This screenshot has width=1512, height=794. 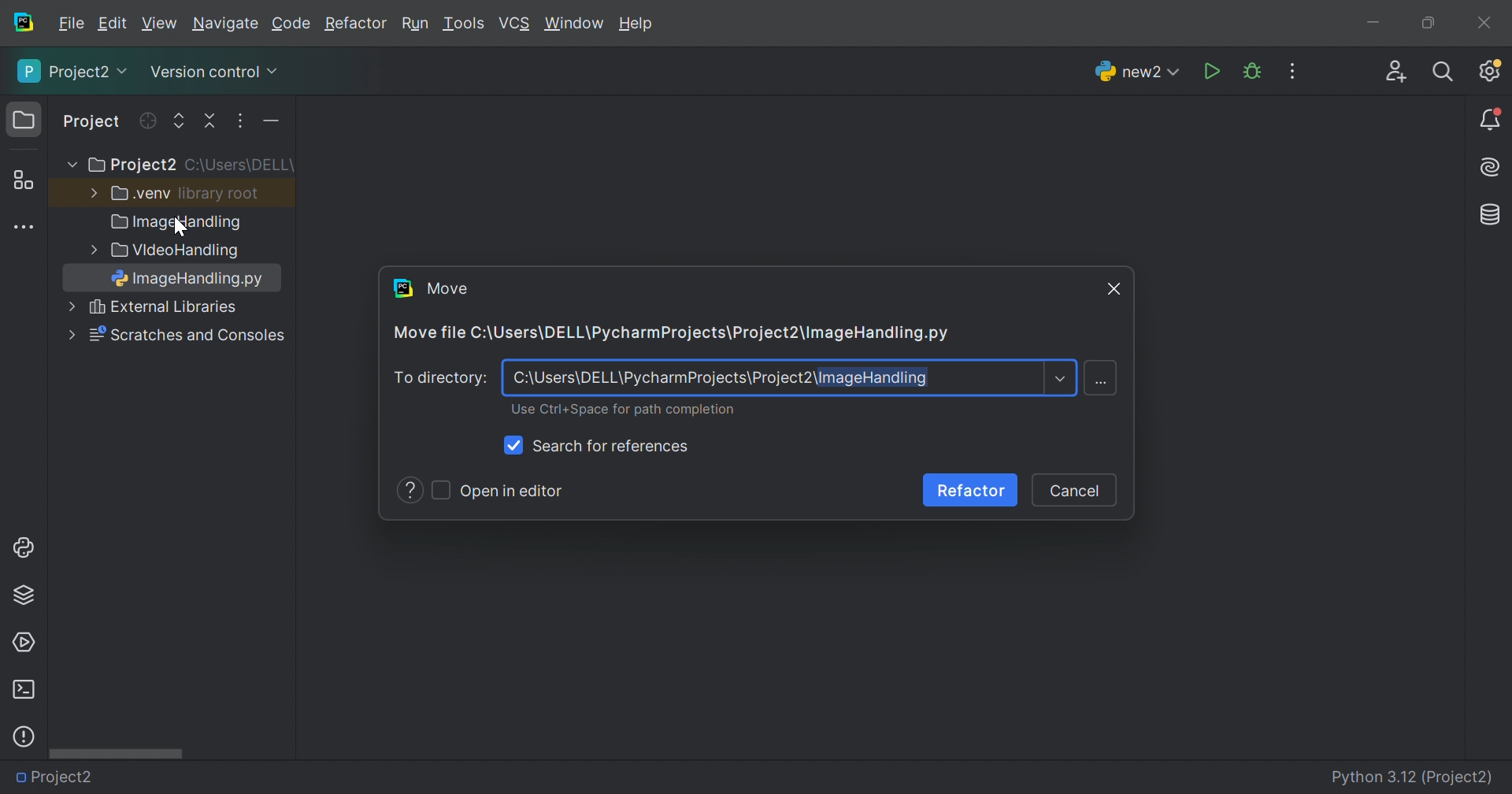 I want to click on Code with me, so click(x=1396, y=74).